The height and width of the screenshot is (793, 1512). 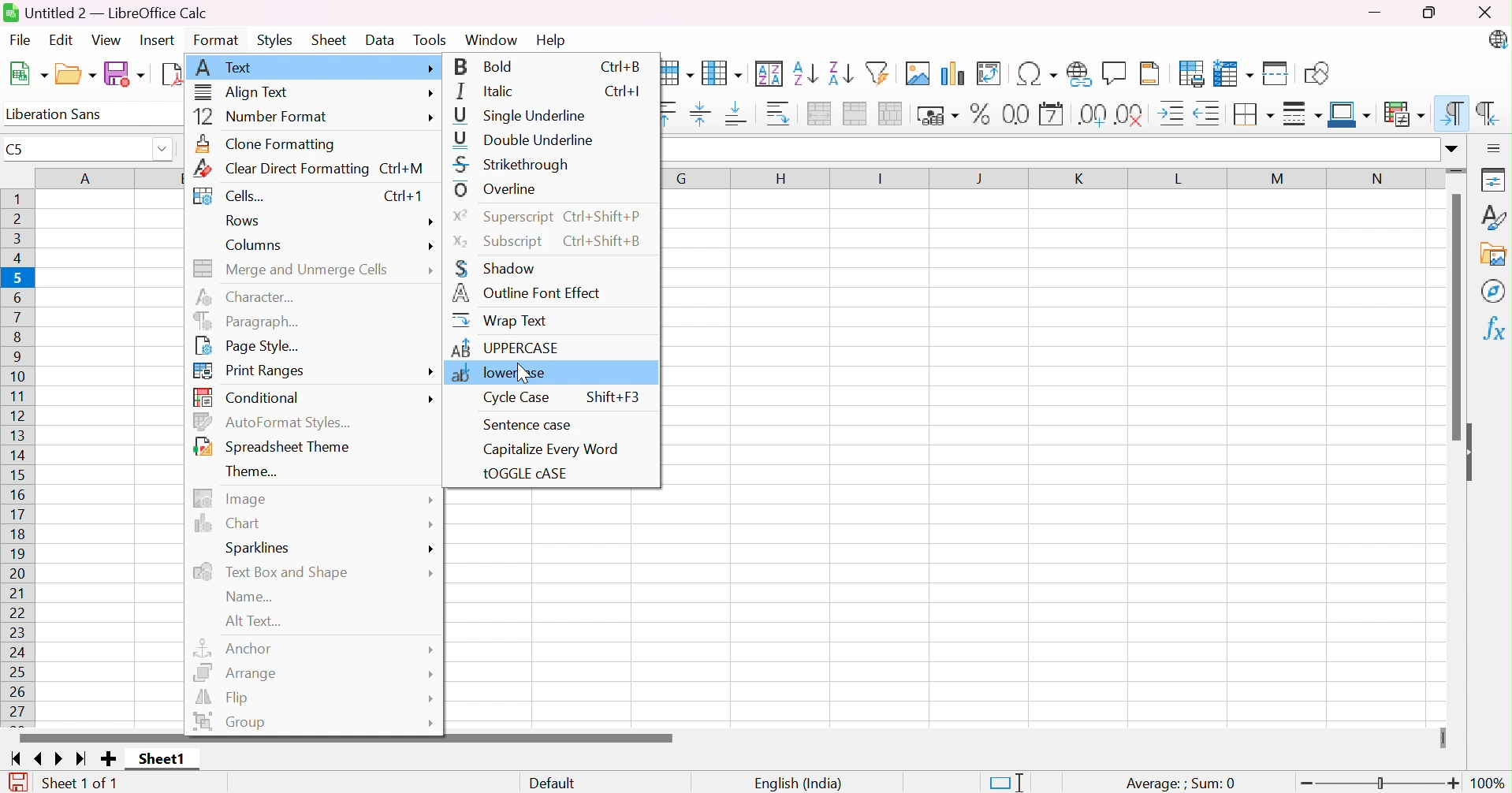 I want to click on Paragraph..., so click(x=243, y=319).